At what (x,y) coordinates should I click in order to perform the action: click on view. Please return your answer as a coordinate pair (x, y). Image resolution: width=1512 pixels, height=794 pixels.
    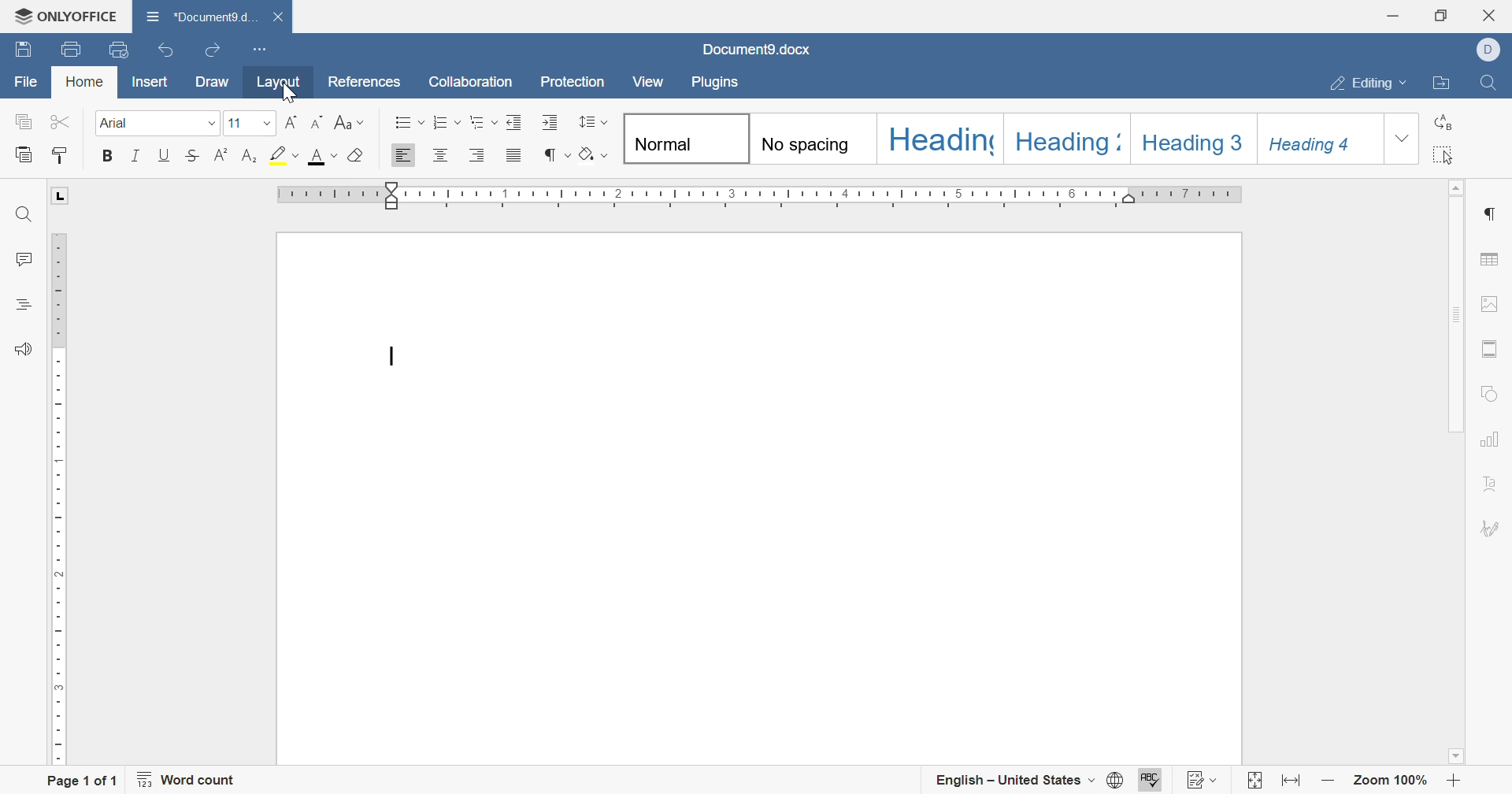
    Looking at the image, I should click on (647, 81).